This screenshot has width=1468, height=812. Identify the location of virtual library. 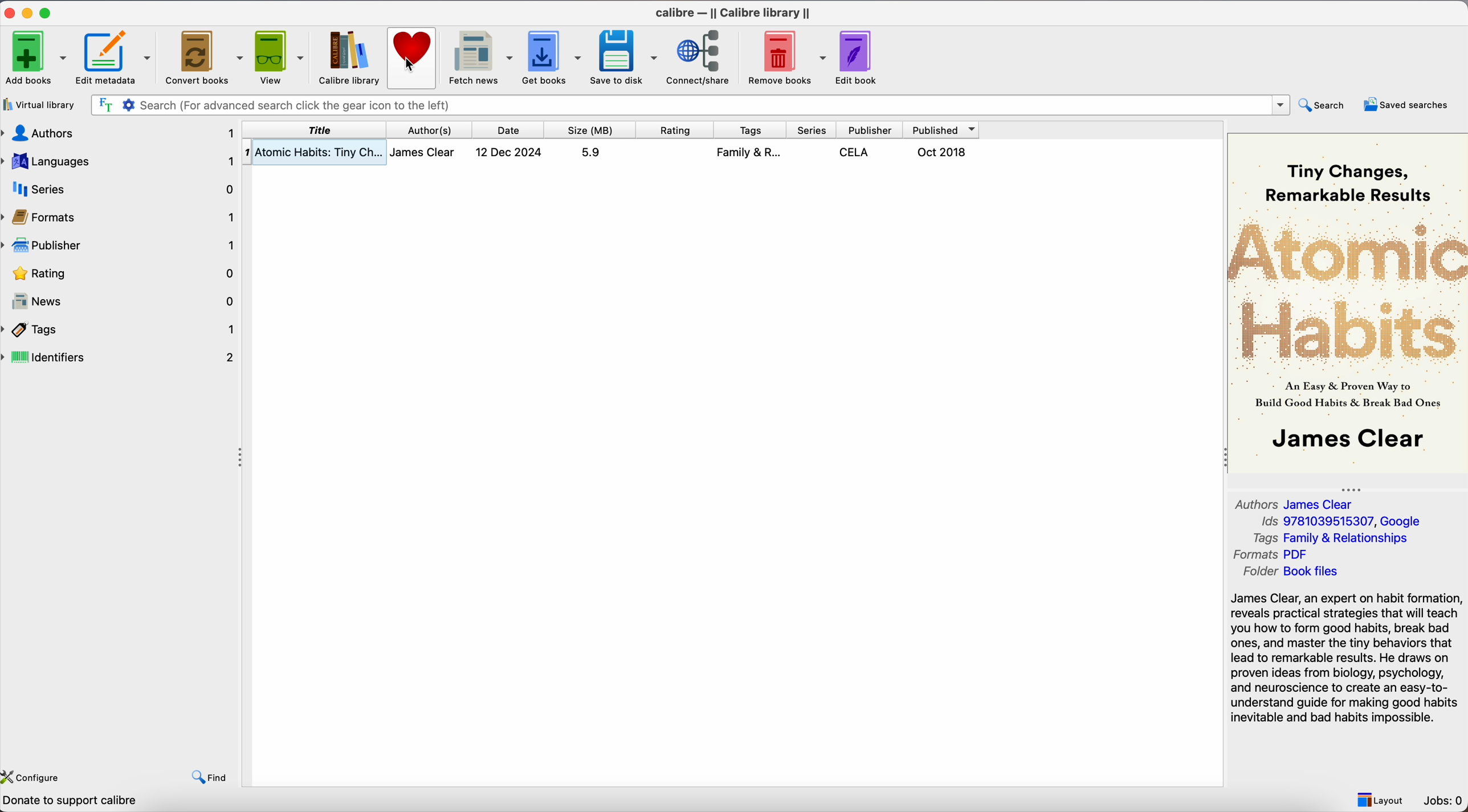
(41, 105).